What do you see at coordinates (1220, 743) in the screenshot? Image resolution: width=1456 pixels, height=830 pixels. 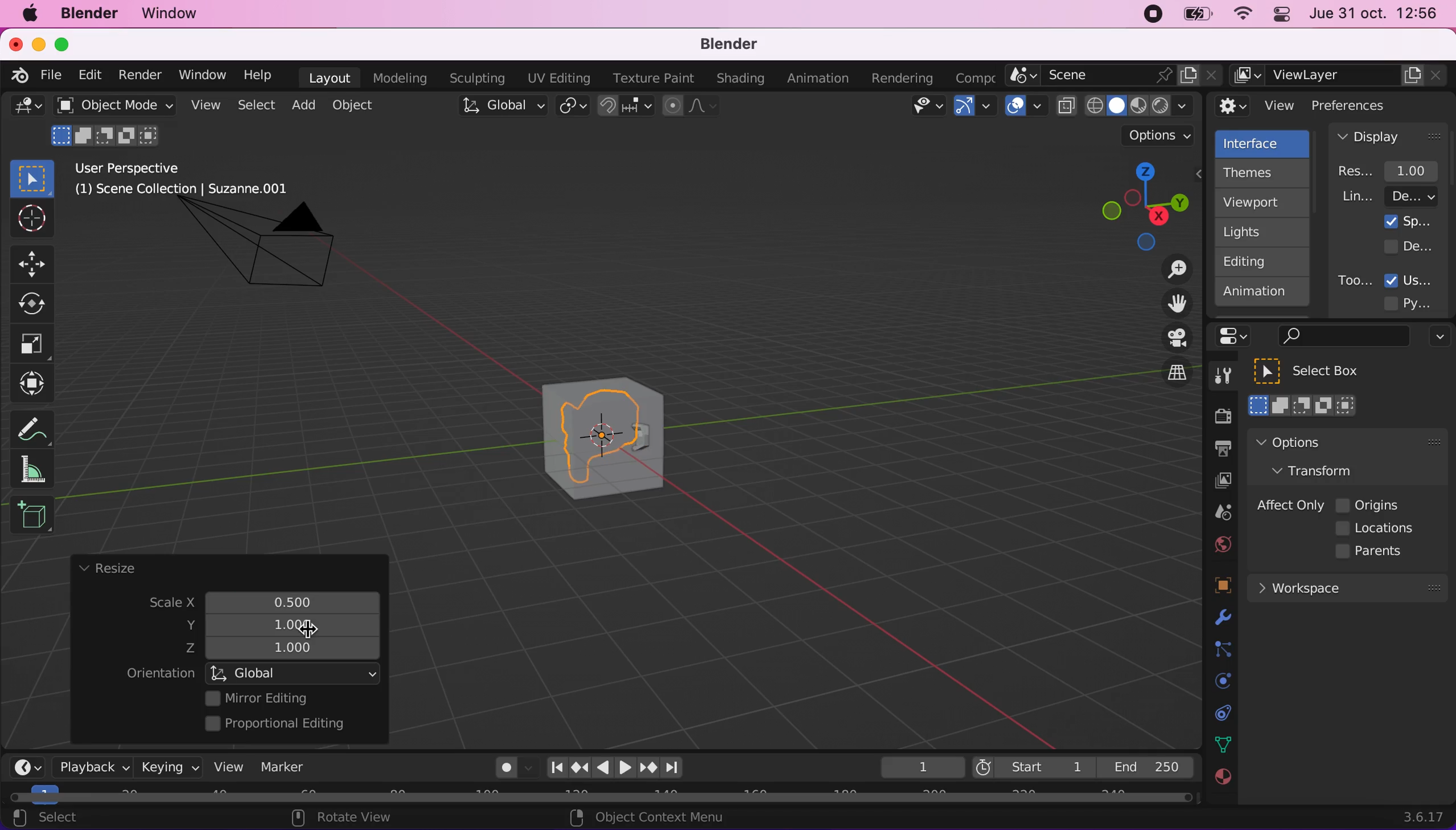 I see `data` at bounding box center [1220, 743].